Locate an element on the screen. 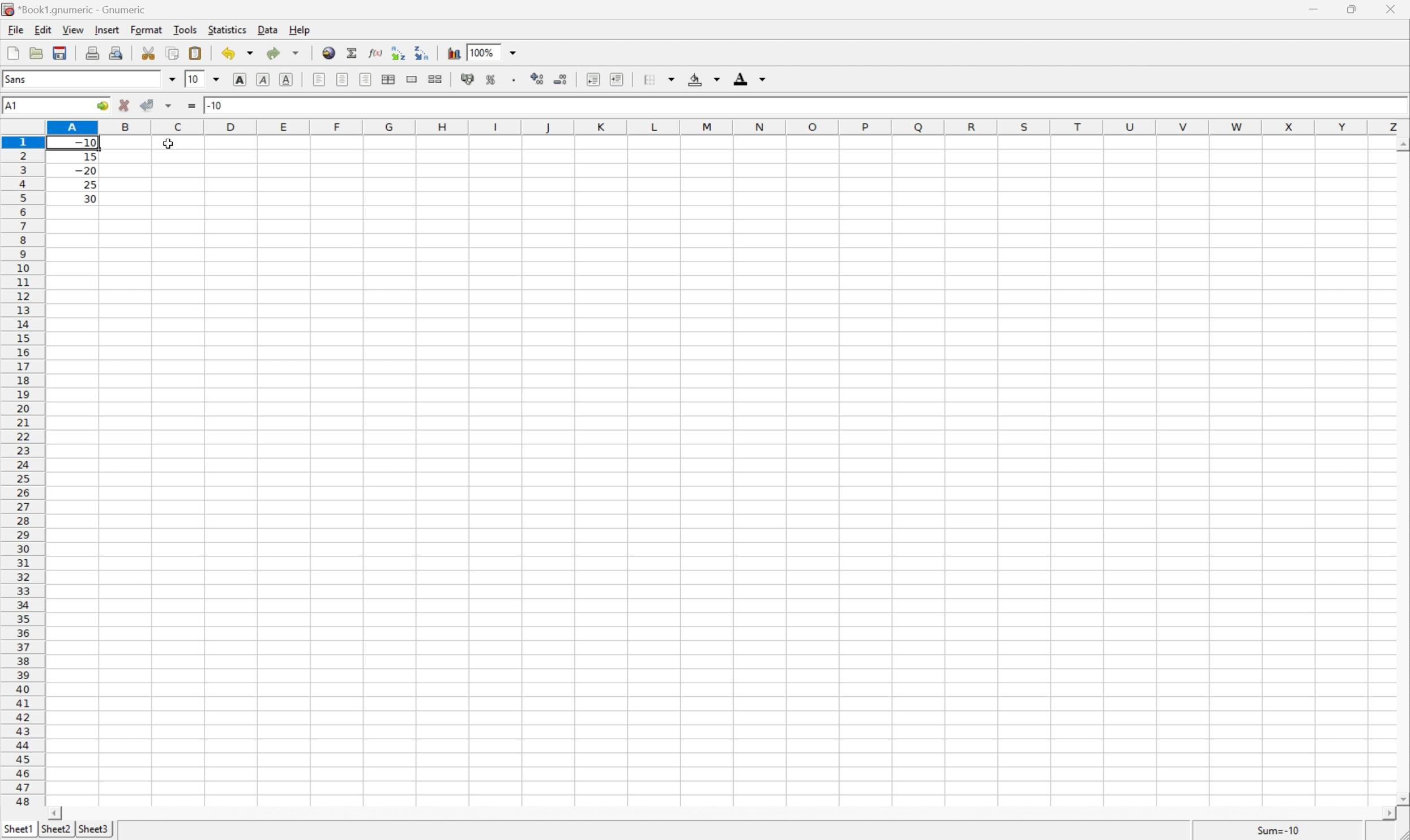 This screenshot has height=840, width=1410. Scroll right is located at coordinates (1383, 814).